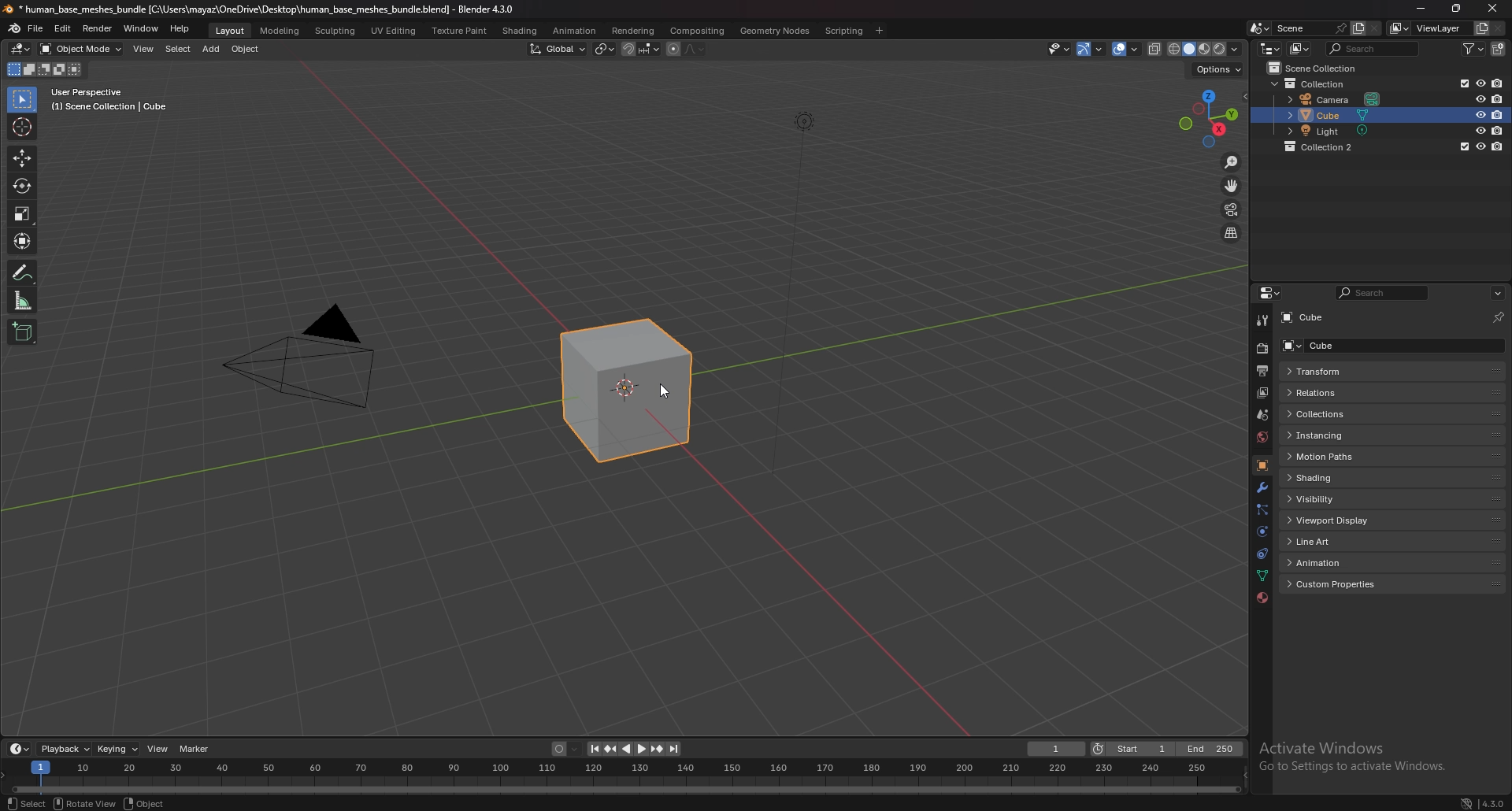 The height and width of the screenshot is (811, 1512). What do you see at coordinates (142, 29) in the screenshot?
I see `window` at bounding box center [142, 29].